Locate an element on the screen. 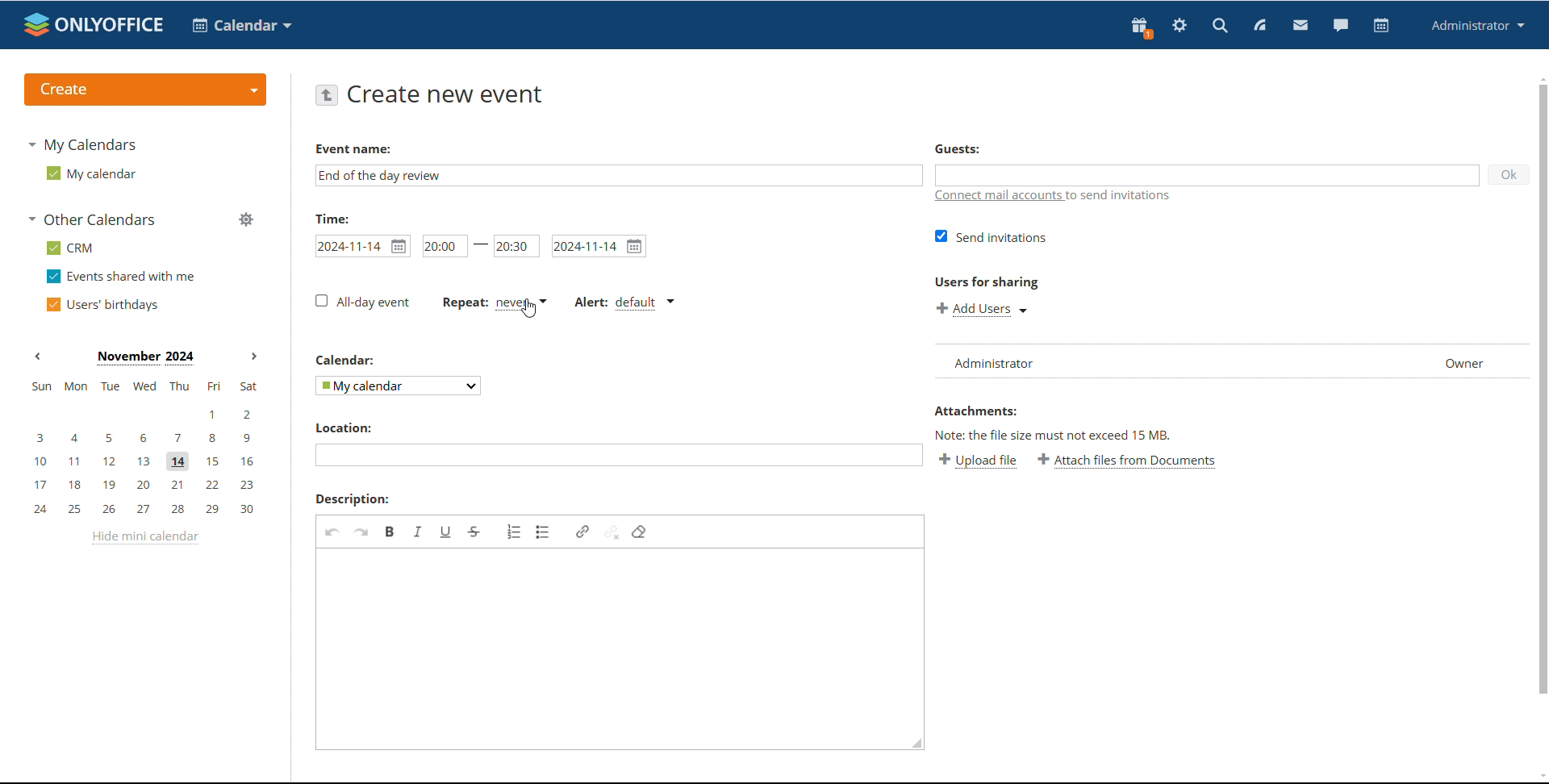  users for sharing is located at coordinates (987, 281).